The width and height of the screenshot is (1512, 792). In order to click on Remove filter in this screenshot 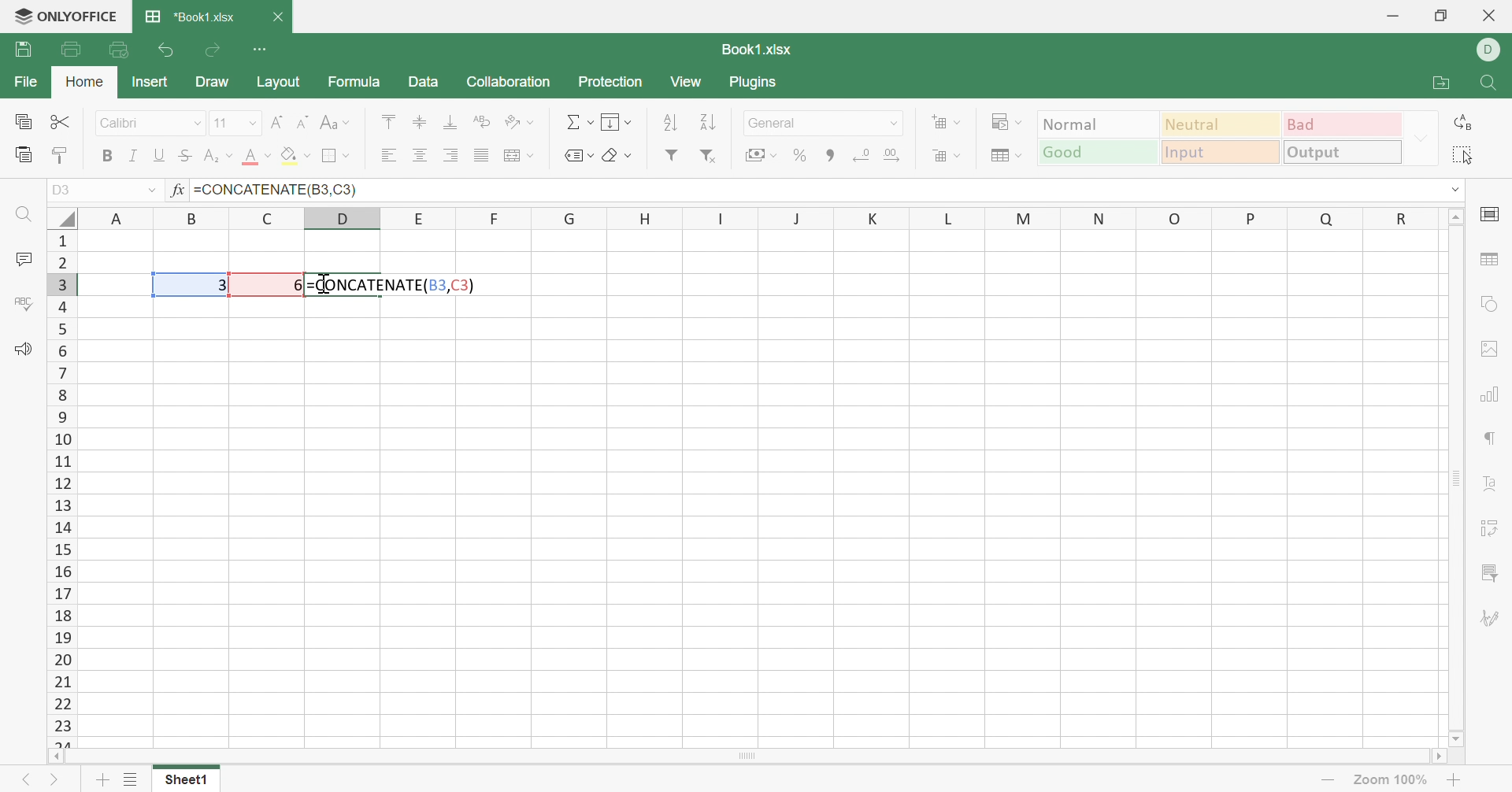, I will do `click(705, 154)`.